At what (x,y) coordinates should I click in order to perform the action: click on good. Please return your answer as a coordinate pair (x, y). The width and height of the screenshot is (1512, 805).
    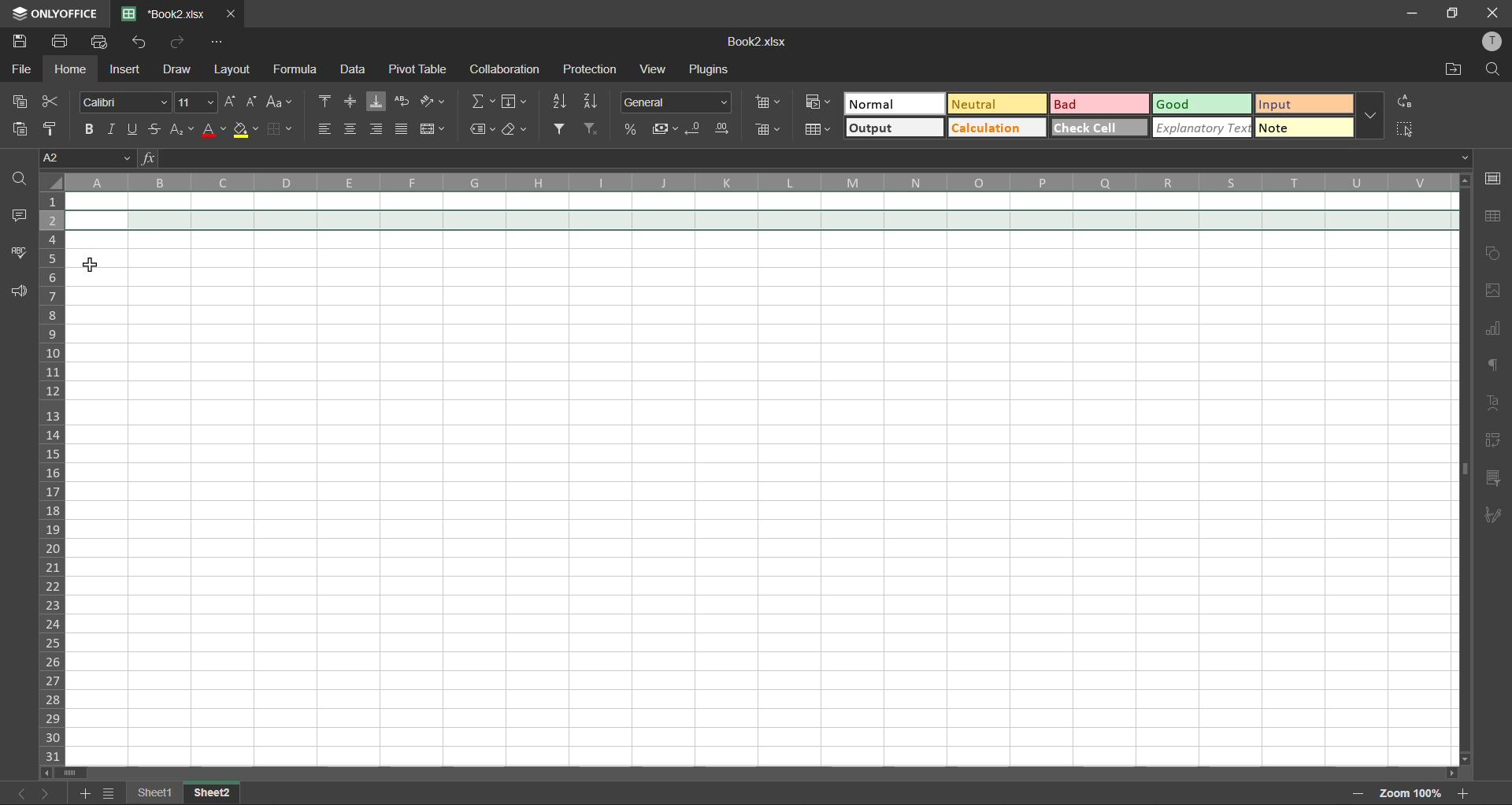
    Looking at the image, I should click on (1204, 102).